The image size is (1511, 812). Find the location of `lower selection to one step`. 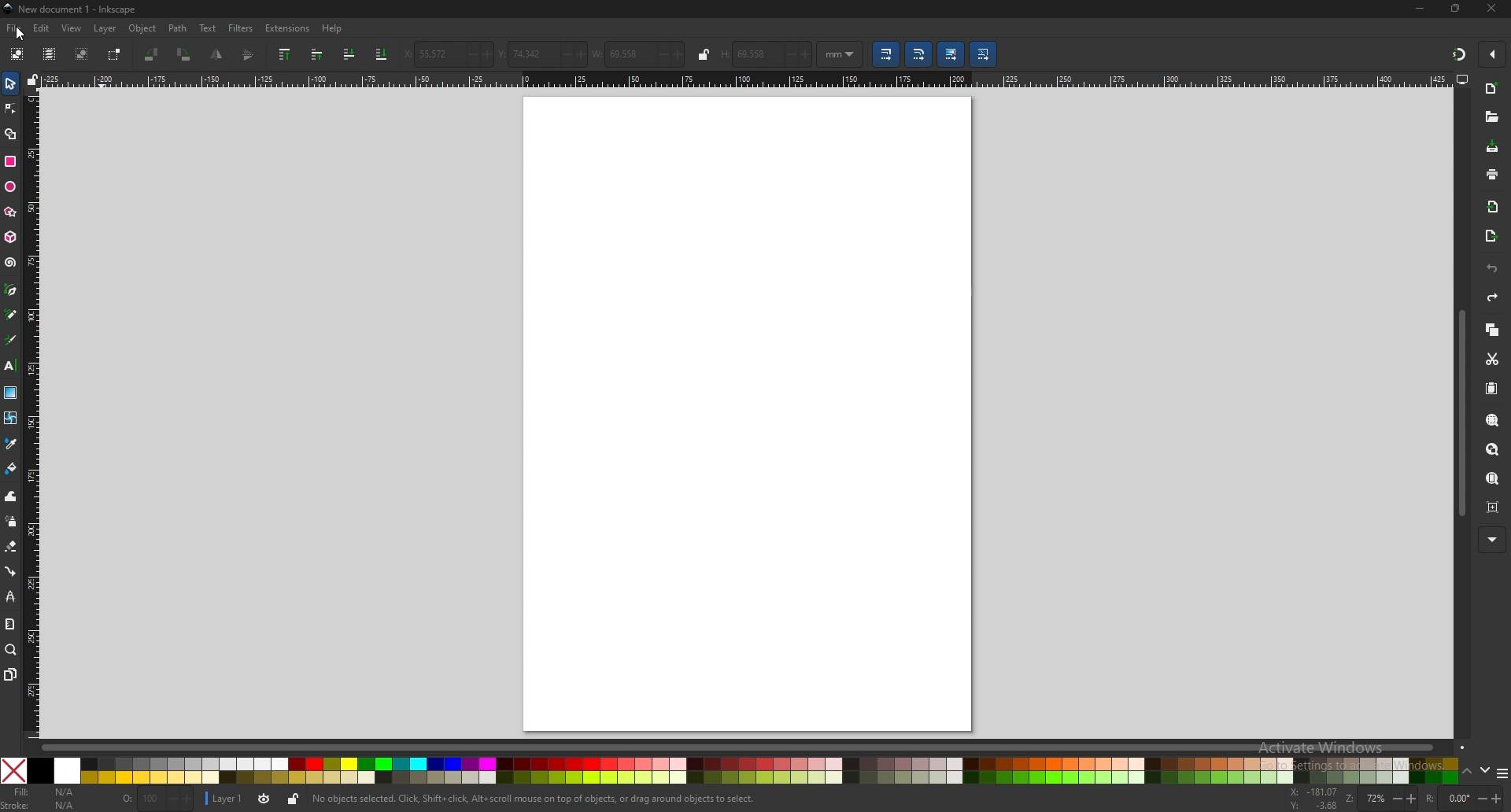

lower selection to one step is located at coordinates (349, 54).